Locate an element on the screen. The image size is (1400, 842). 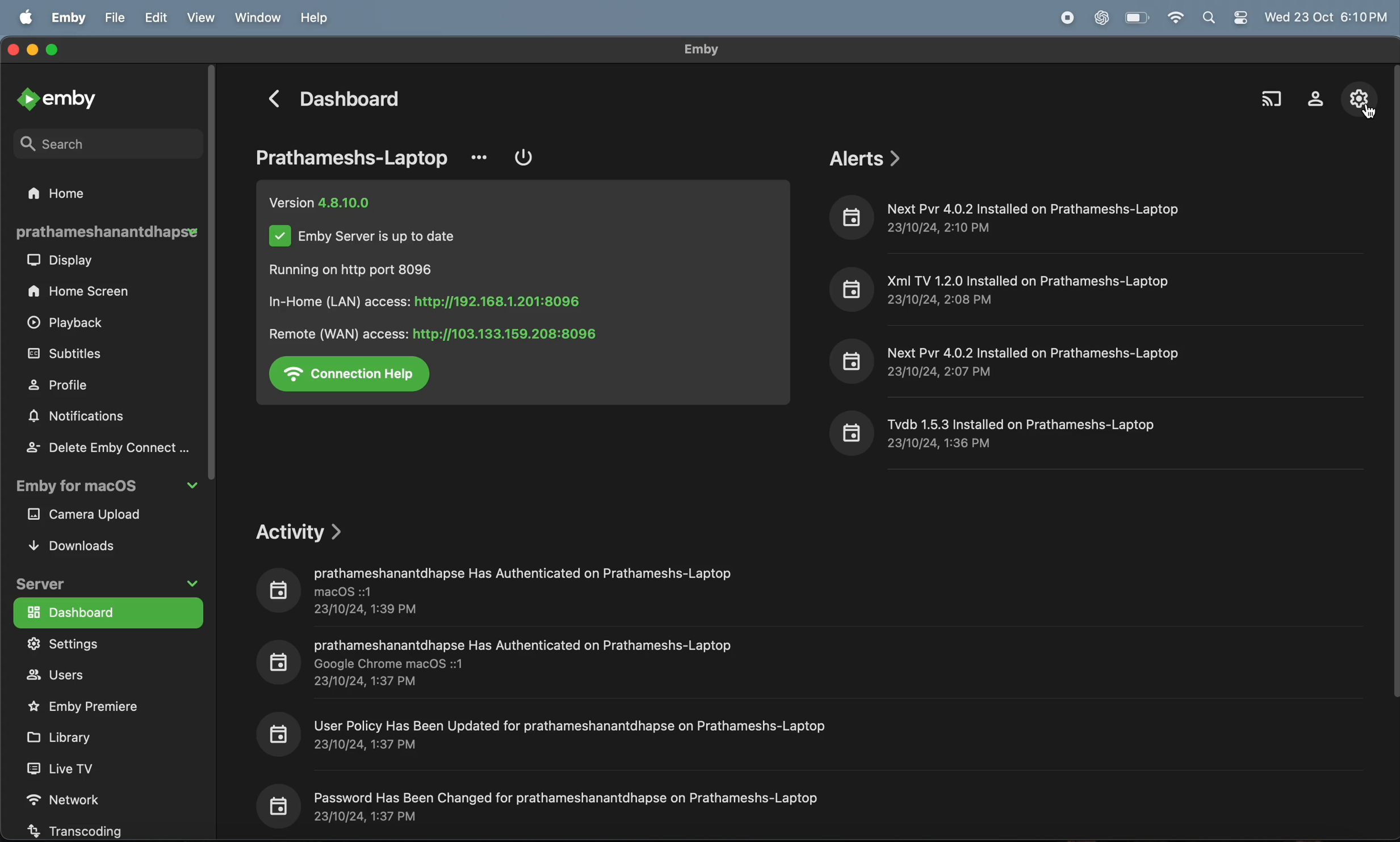
profile is located at coordinates (75, 382).